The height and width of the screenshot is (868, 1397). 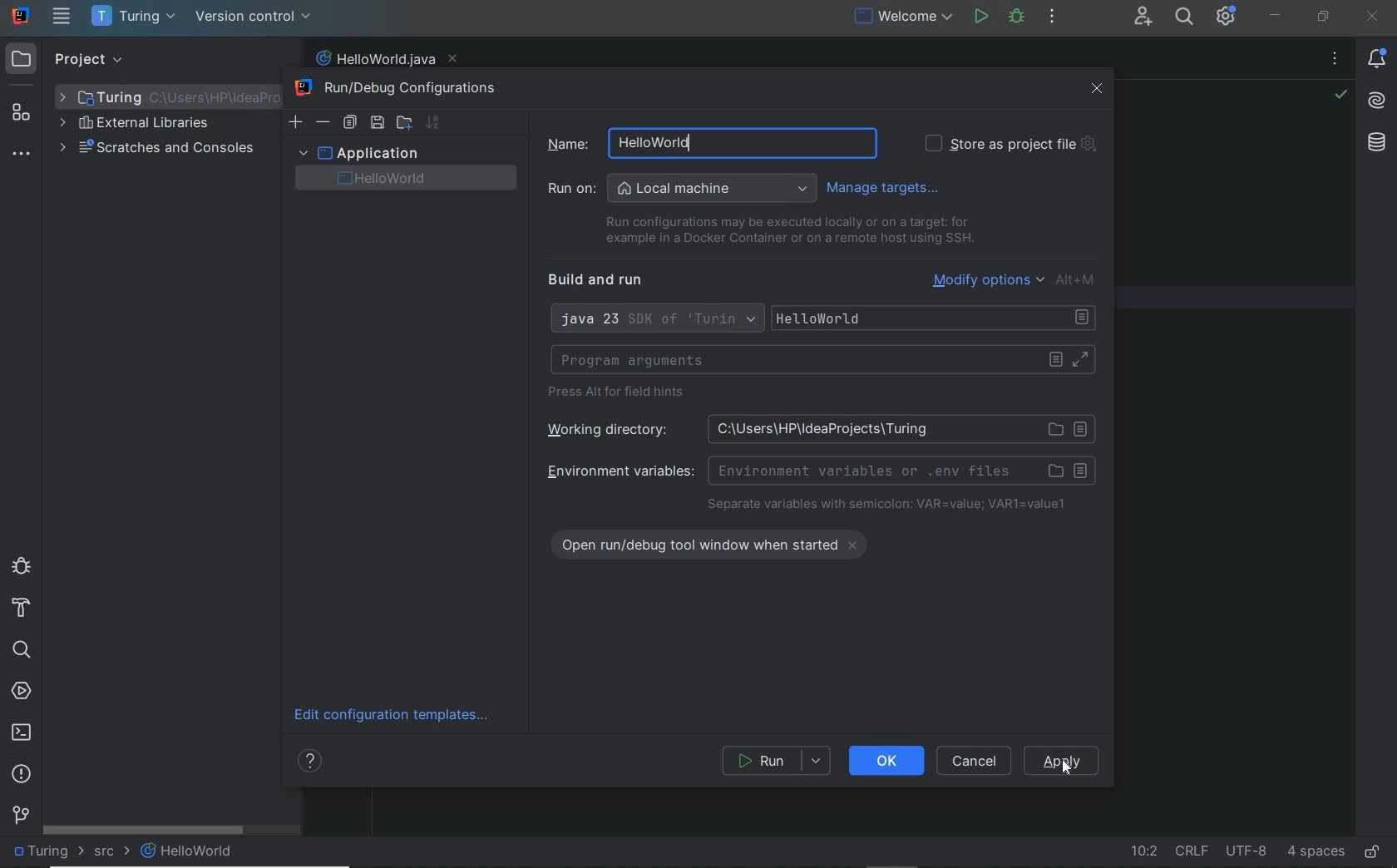 What do you see at coordinates (188, 851) in the screenshot?
I see `HelloWorld` at bounding box center [188, 851].